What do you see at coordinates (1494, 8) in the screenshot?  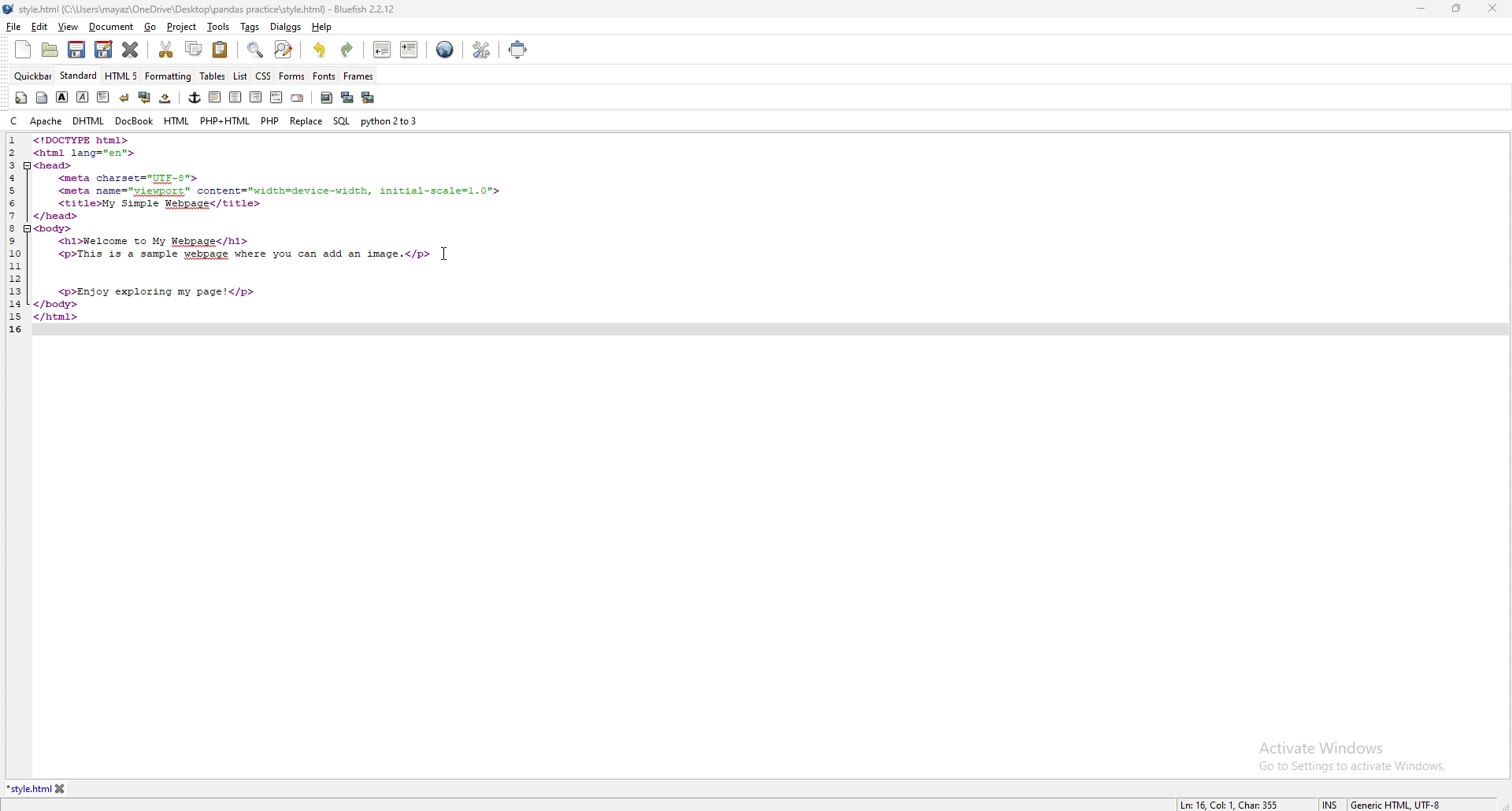 I see `close` at bounding box center [1494, 8].